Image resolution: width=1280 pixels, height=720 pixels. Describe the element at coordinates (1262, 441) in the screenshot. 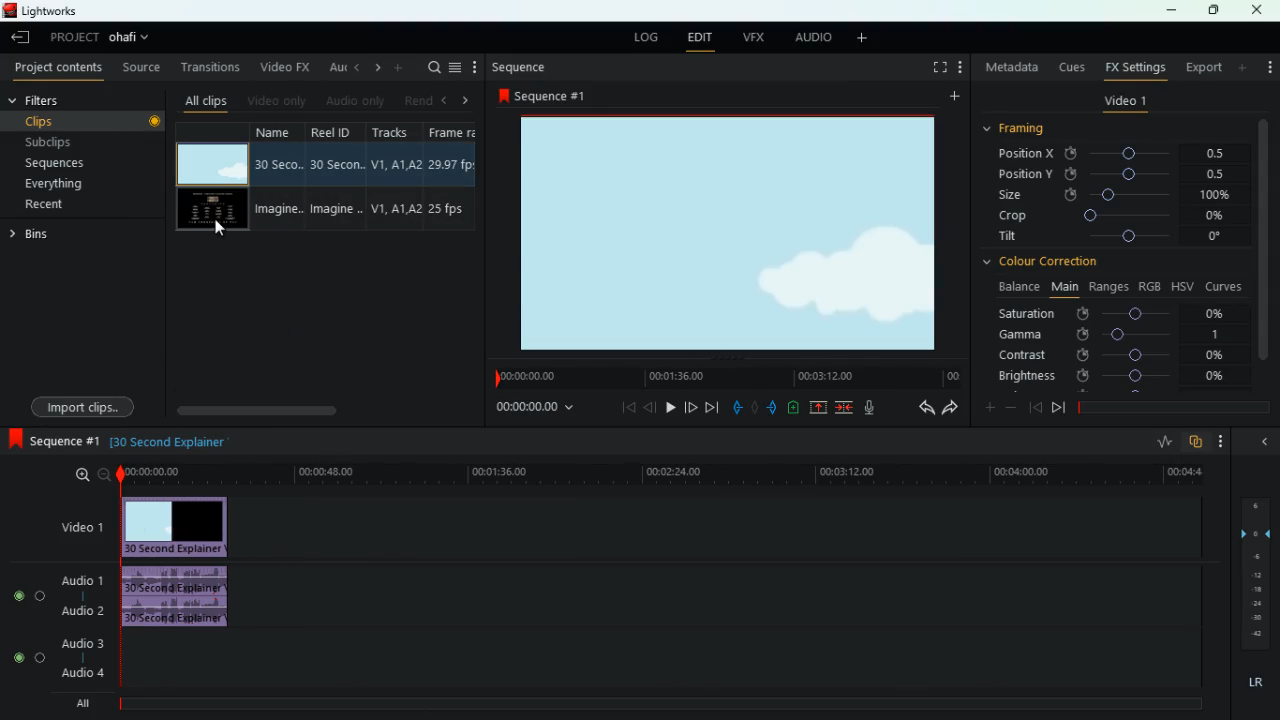

I see `back` at that location.